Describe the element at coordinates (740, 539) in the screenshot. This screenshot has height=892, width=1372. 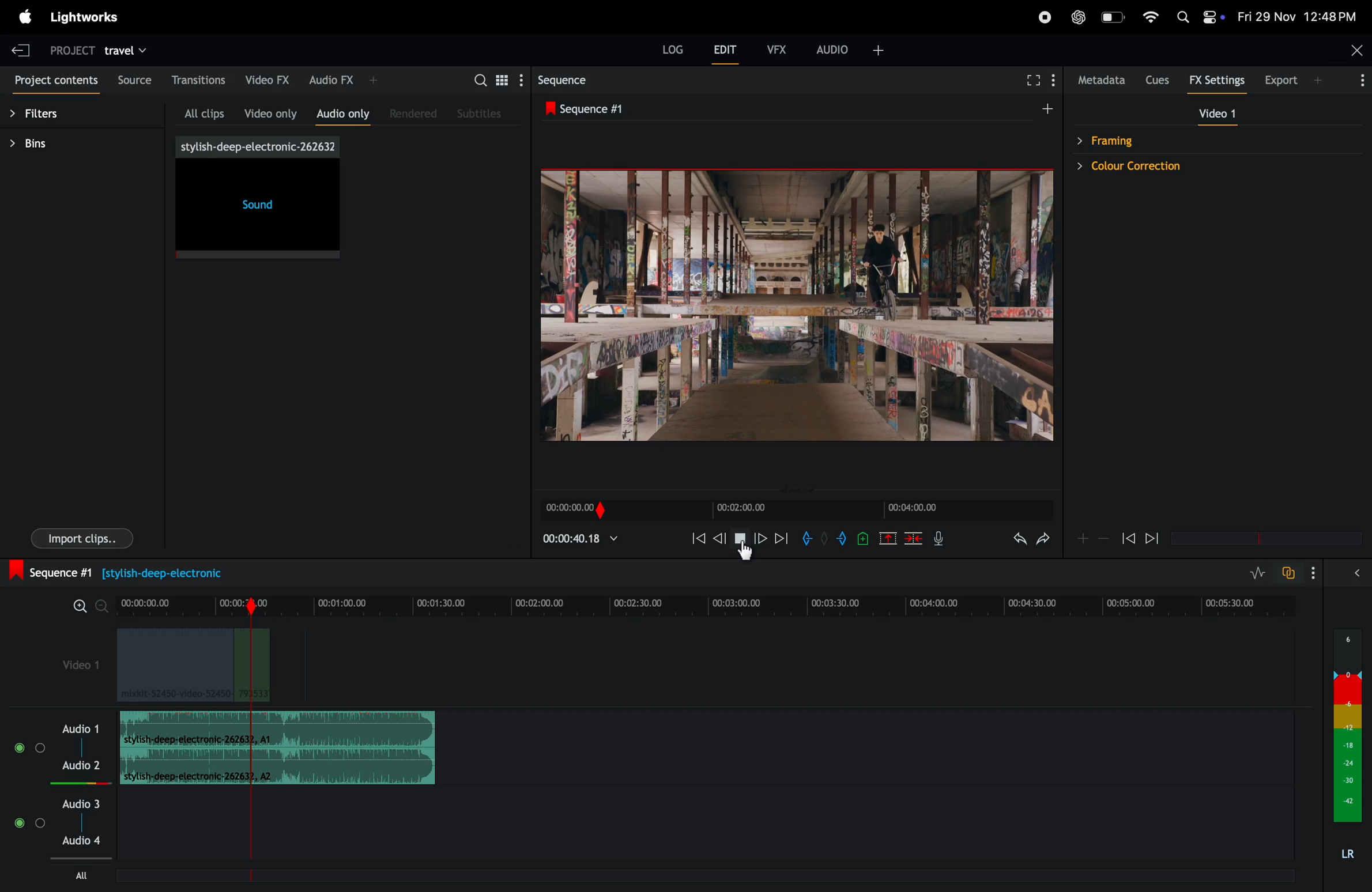
I see `pause play` at that location.